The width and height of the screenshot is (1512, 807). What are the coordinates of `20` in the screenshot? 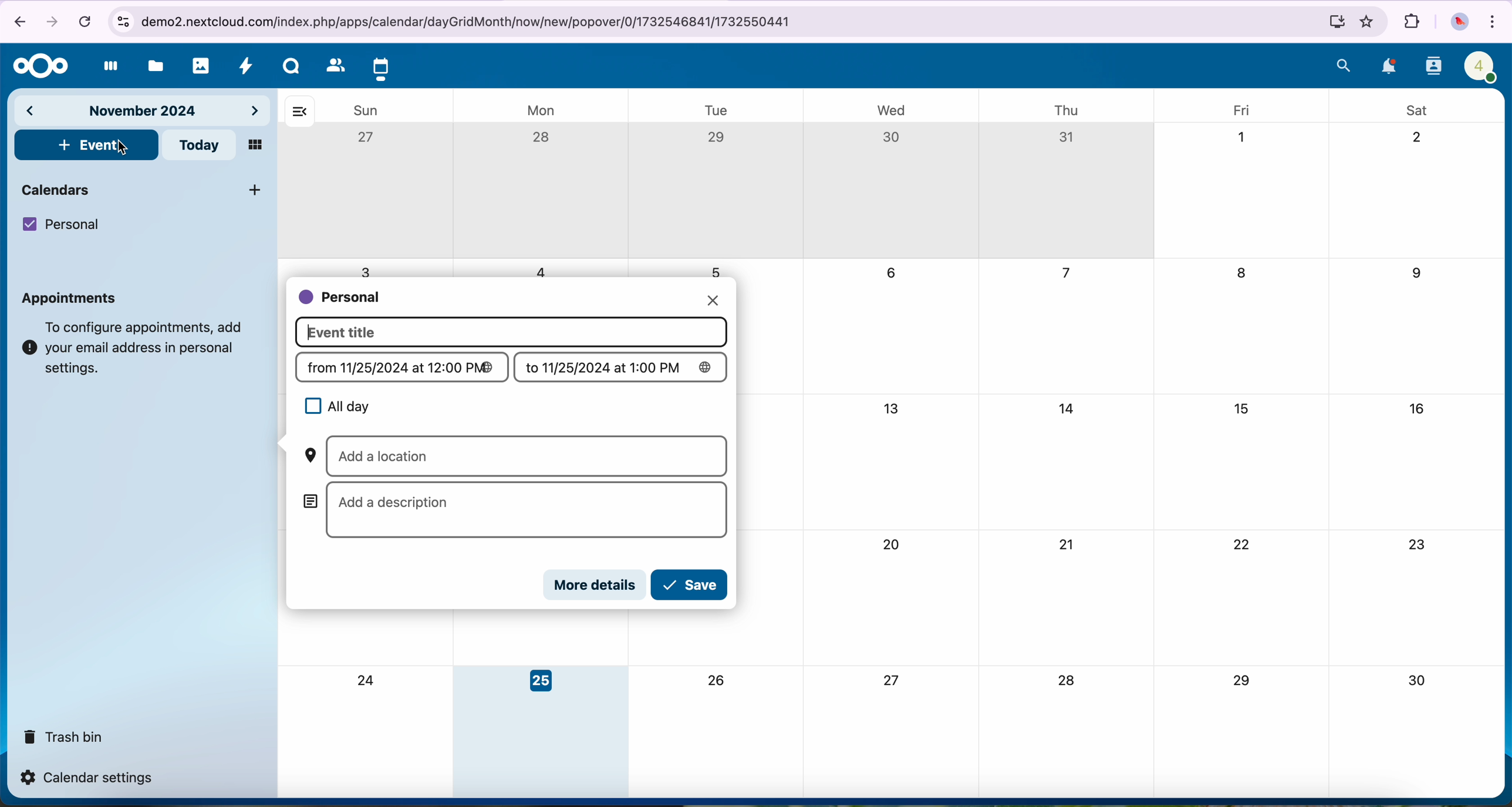 It's located at (889, 544).